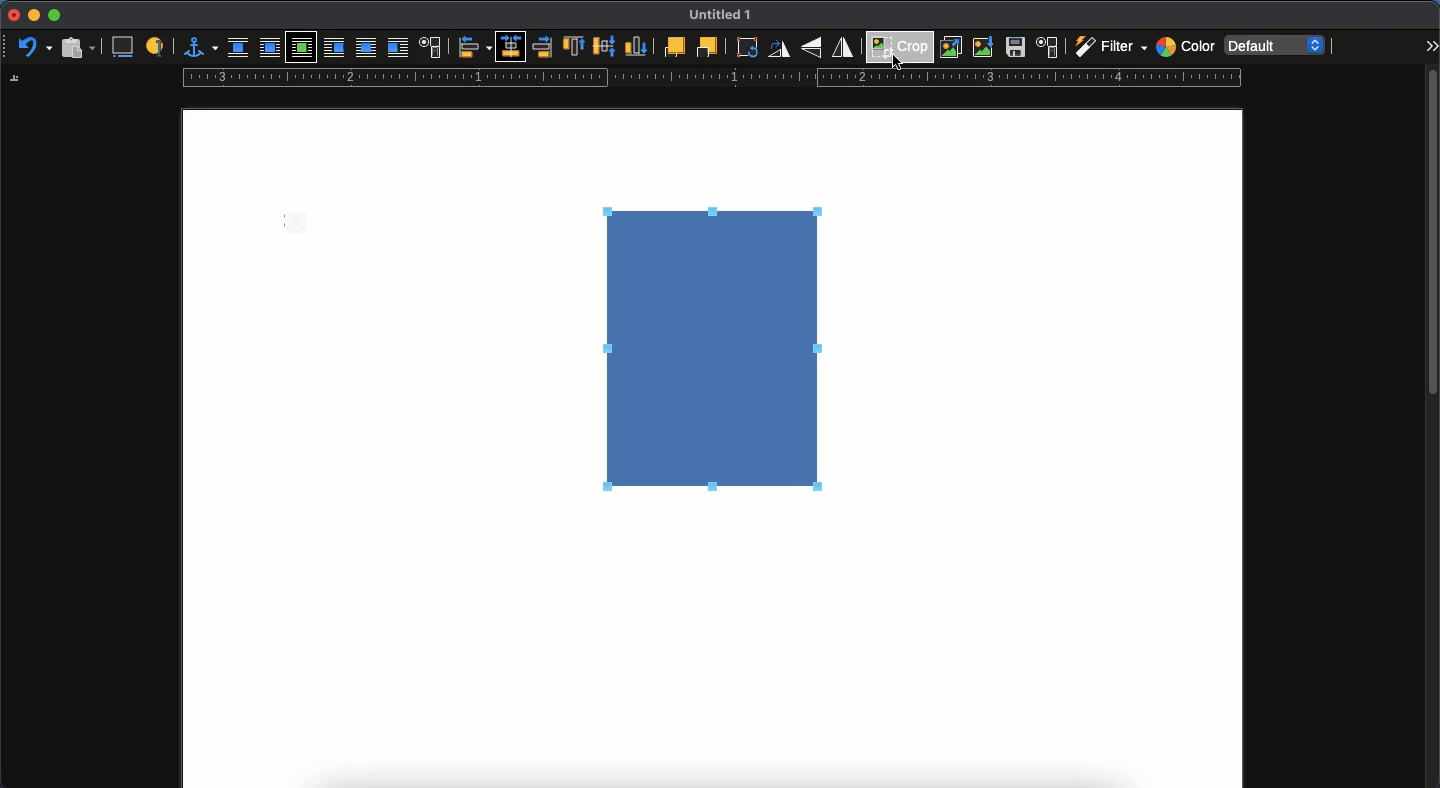  What do you see at coordinates (272, 50) in the screenshot?
I see `parallel` at bounding box center [272, 50].